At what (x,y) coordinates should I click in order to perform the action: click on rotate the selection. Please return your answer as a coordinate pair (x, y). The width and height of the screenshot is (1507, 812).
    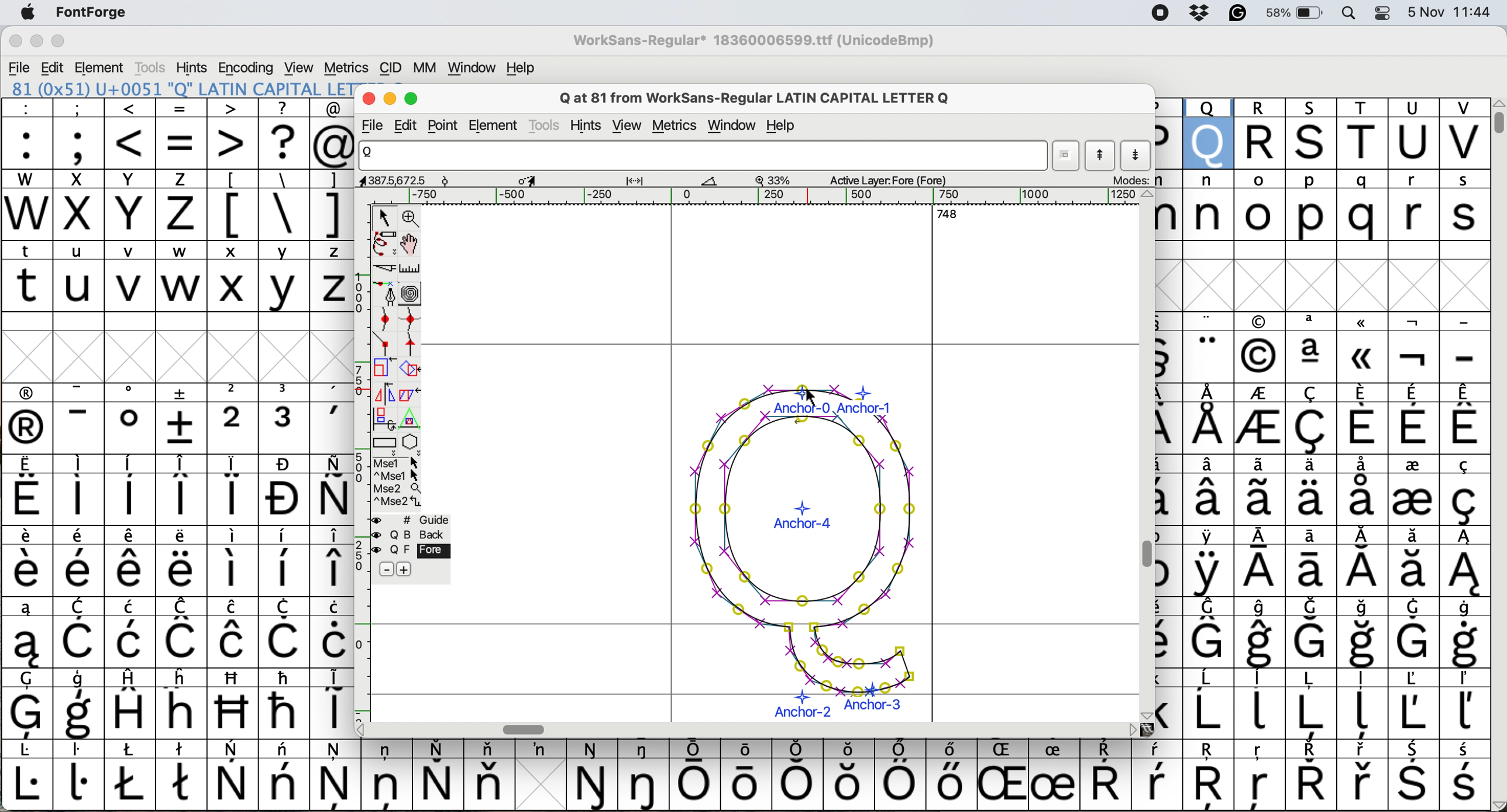
    Looking at the image, I should click on (407, 370).